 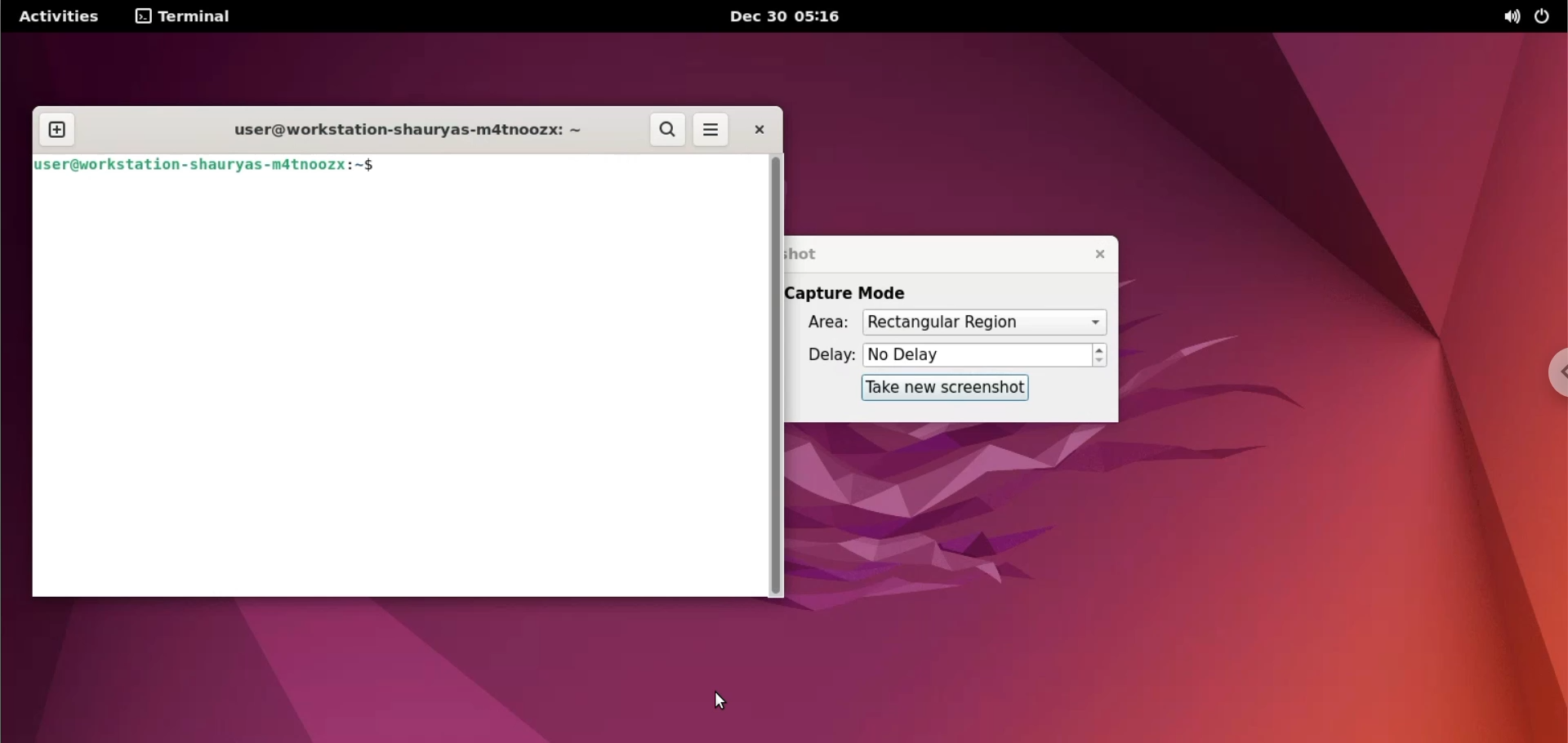 I want to click on delay options, so click(x=978, y=356).